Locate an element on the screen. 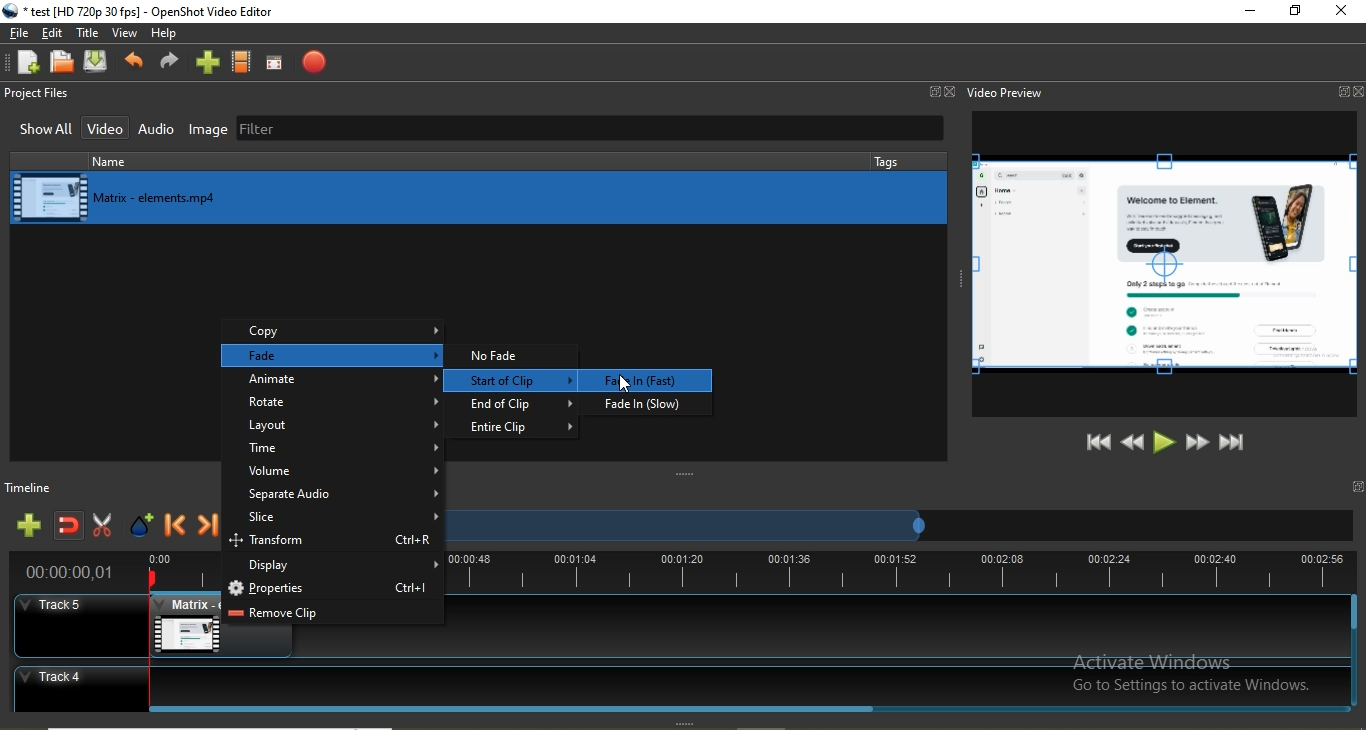 This screenshot has width=1366, height=730. Full screen  is located at coordinates (274, 63).